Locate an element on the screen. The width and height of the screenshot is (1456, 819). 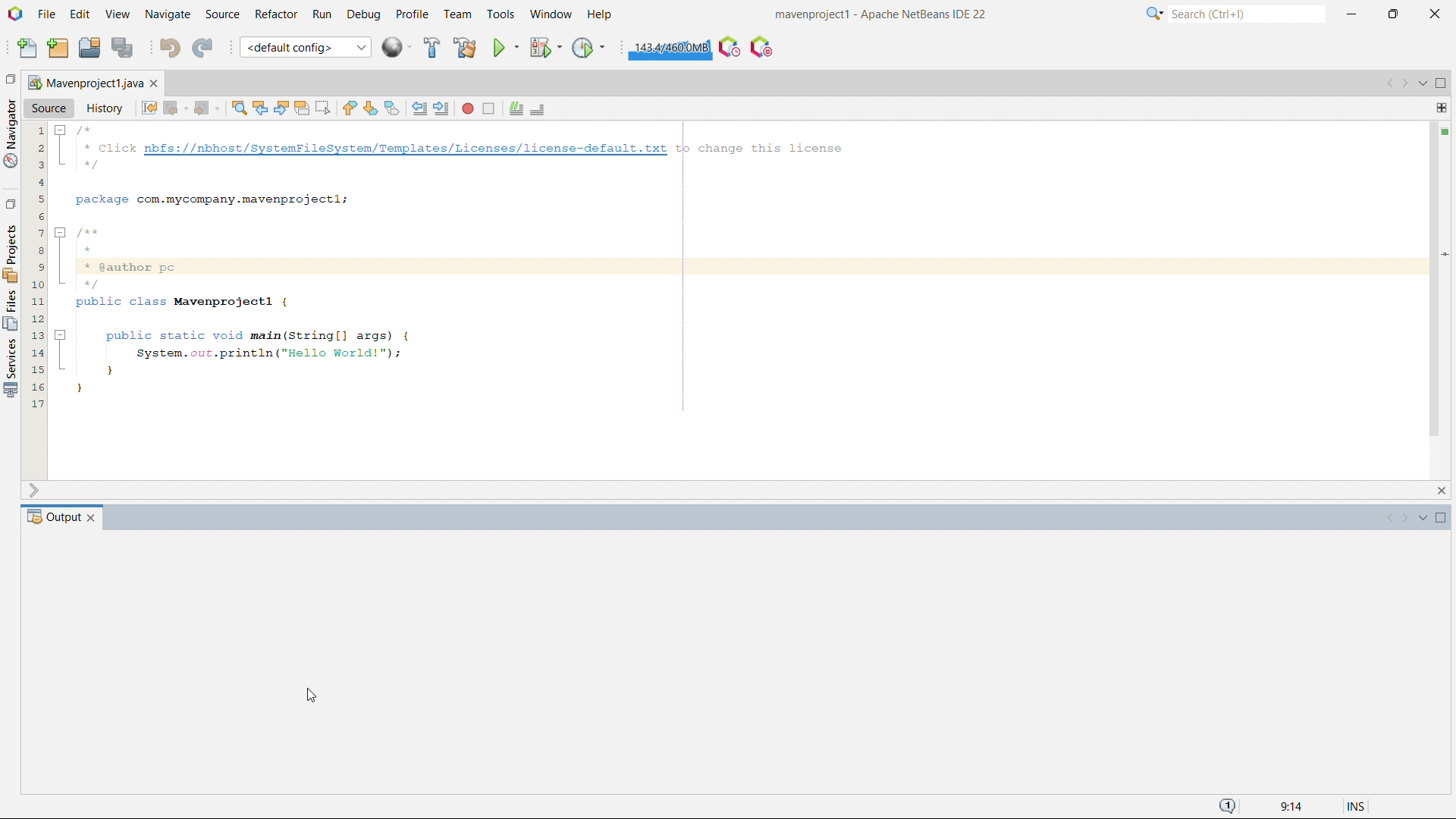
line number is located at coordinates (36, 265).